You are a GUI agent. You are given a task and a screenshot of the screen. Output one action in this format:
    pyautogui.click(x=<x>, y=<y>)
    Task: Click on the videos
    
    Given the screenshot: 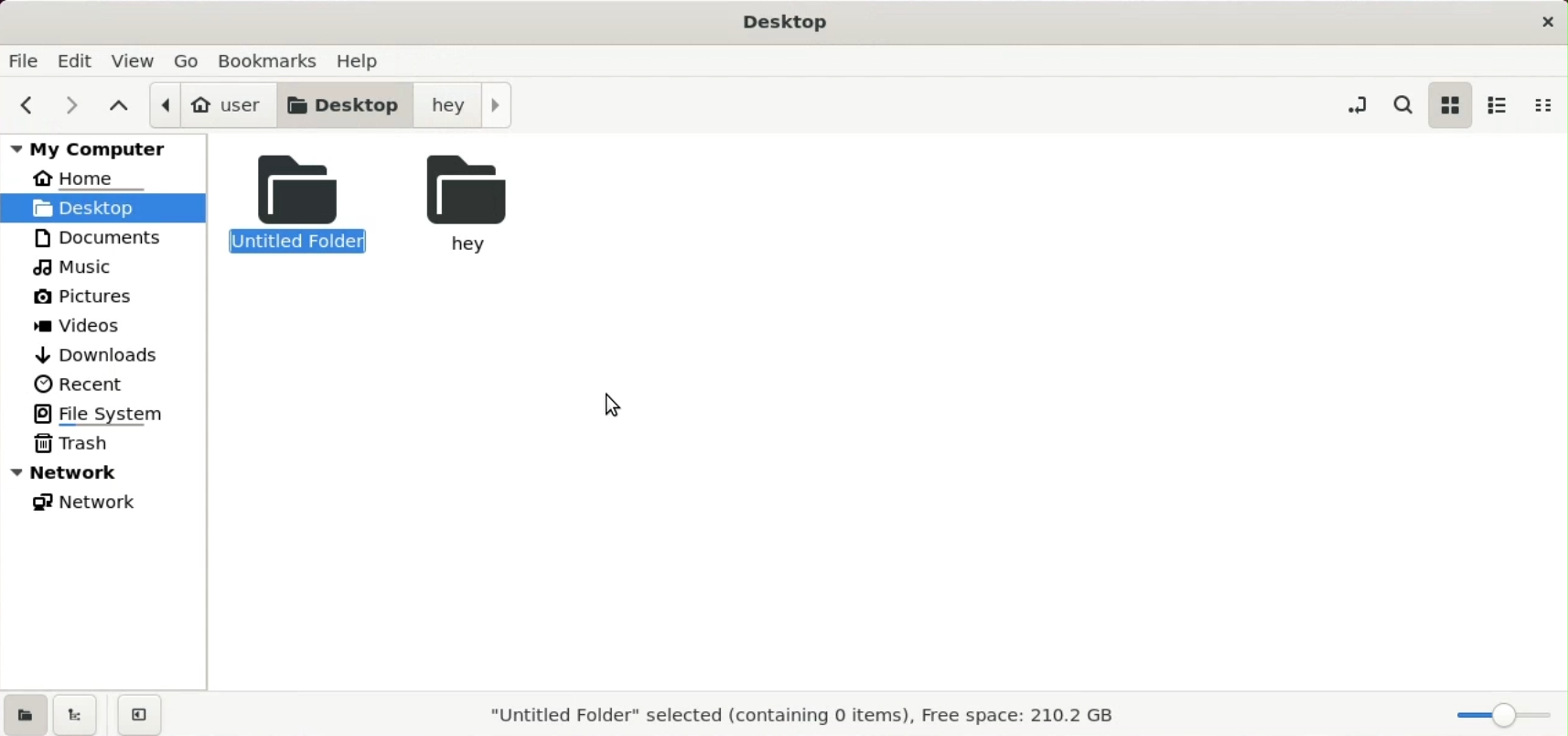 What is the action you would take?
    pyautogui.click(x=83, y=324)
    